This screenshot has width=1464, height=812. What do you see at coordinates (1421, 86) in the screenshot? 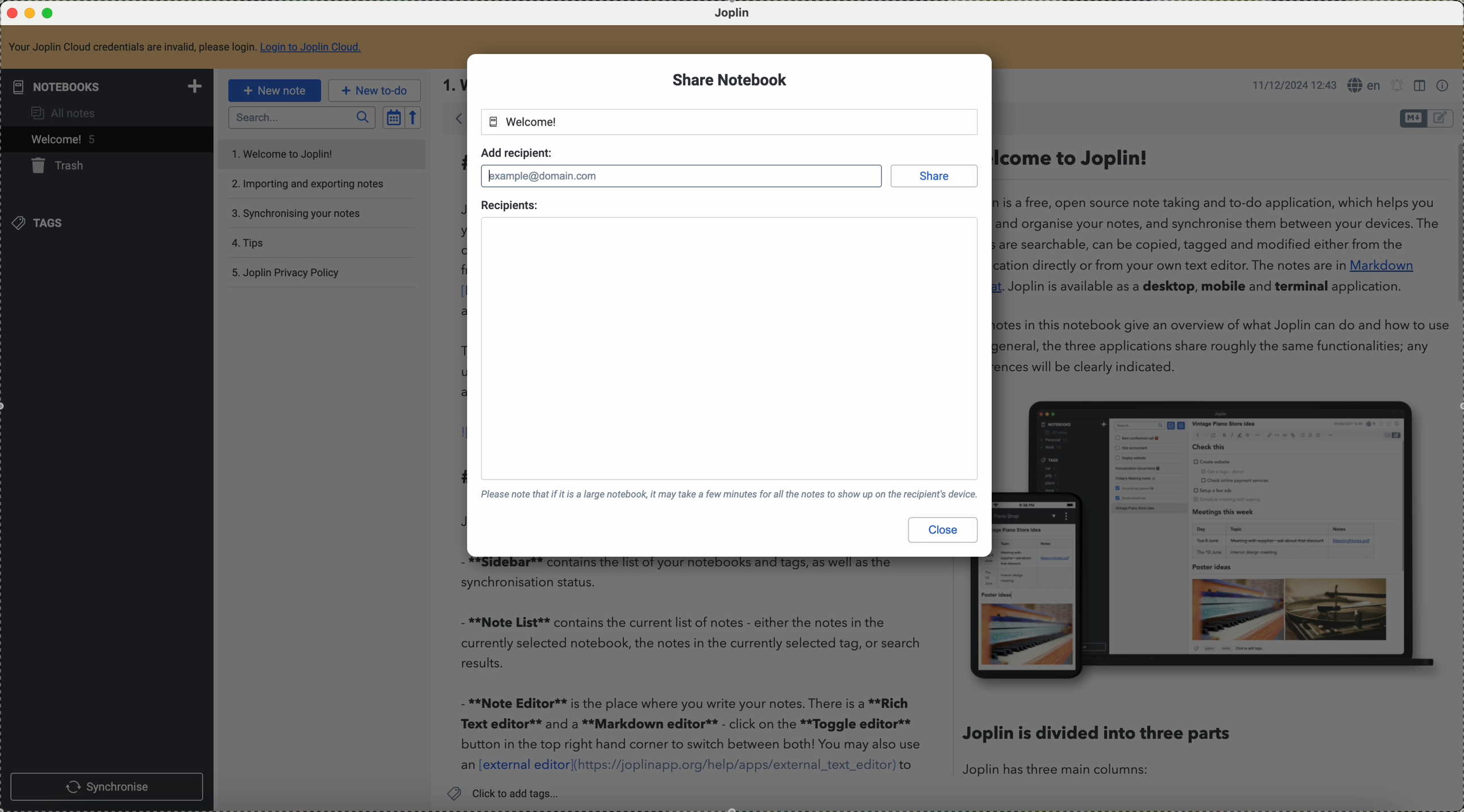
I see `toggle editor layouts` at bounding box center [1421, 86].